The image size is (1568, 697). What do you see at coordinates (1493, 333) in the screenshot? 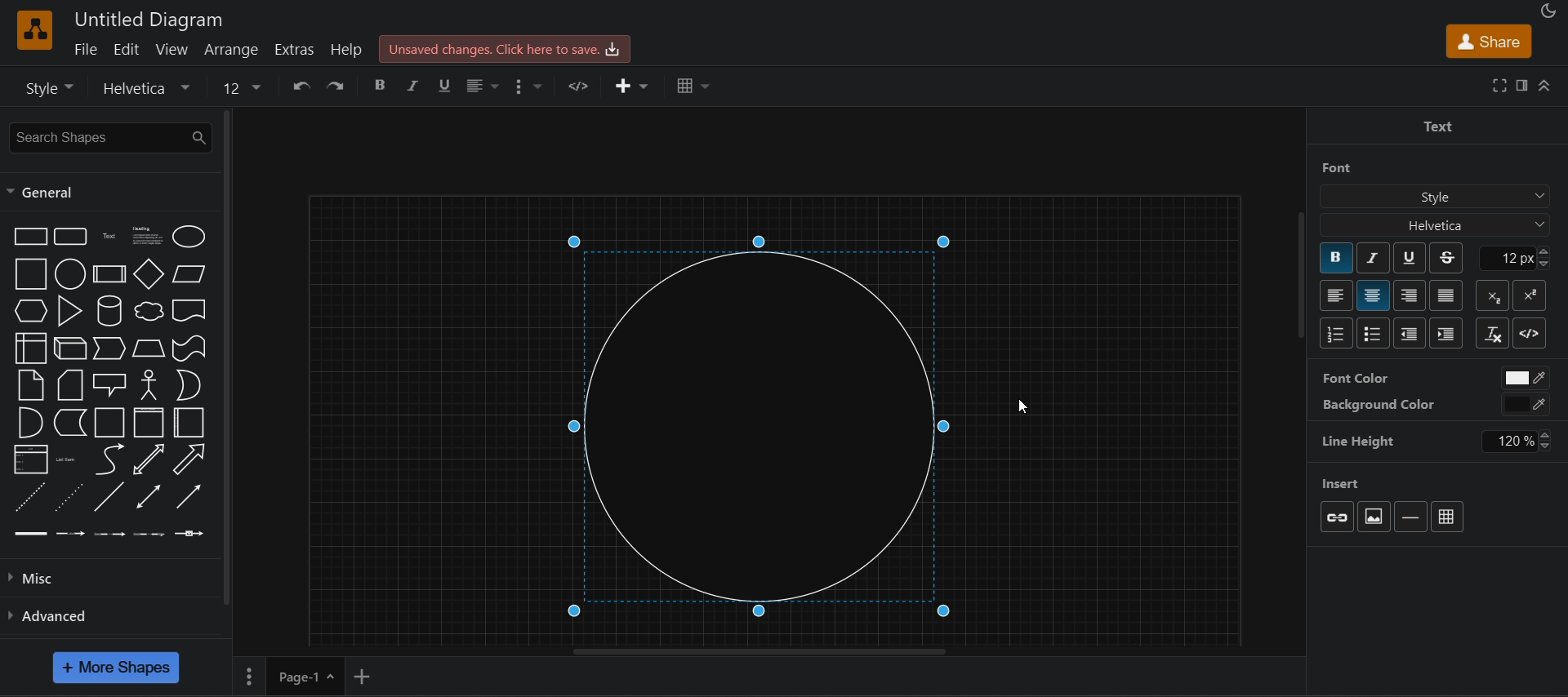
I see `clear formatting` at bounding box center [1493, 333].